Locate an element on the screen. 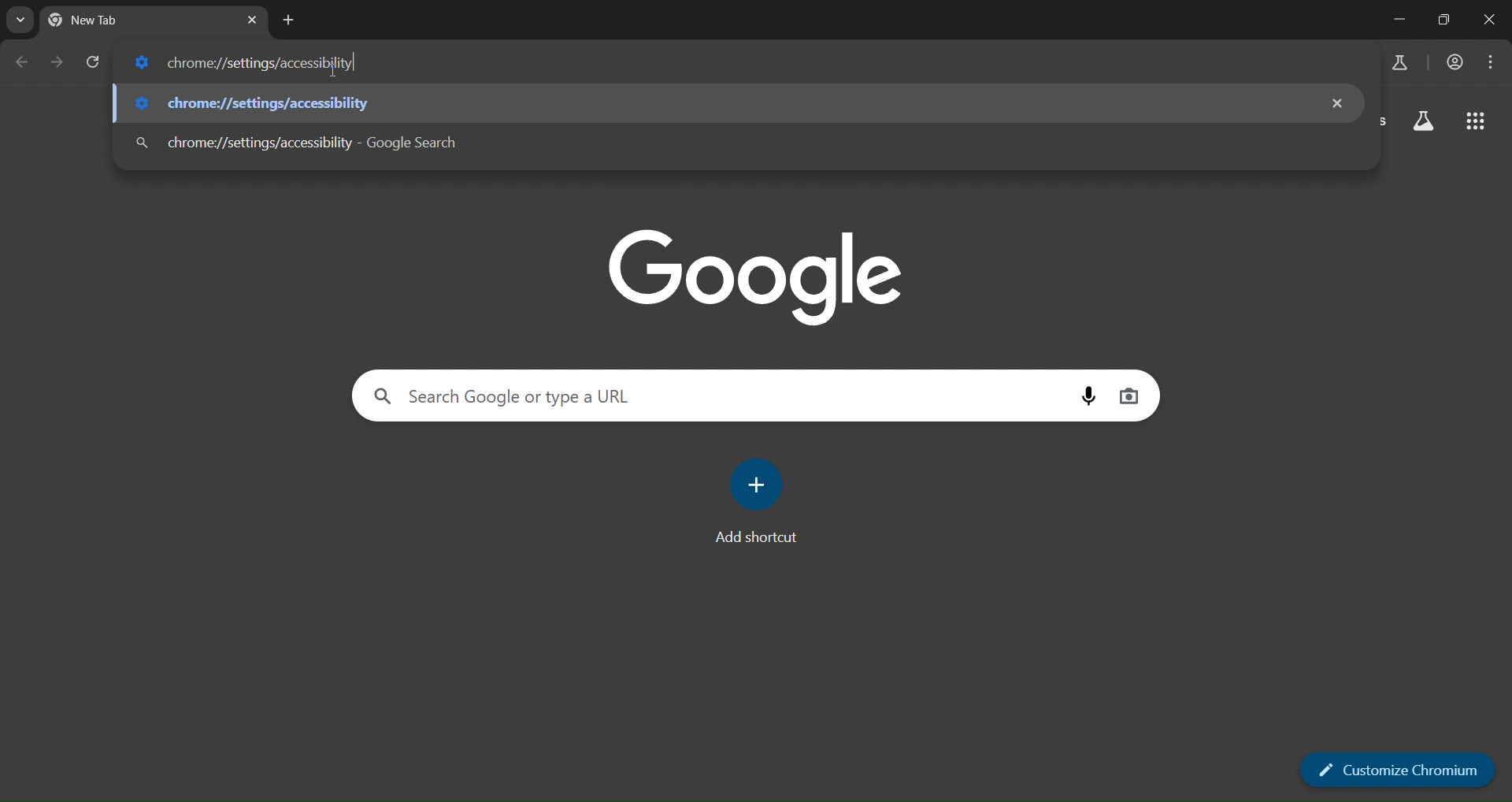  search labs is located at coordinates (1402, 62).